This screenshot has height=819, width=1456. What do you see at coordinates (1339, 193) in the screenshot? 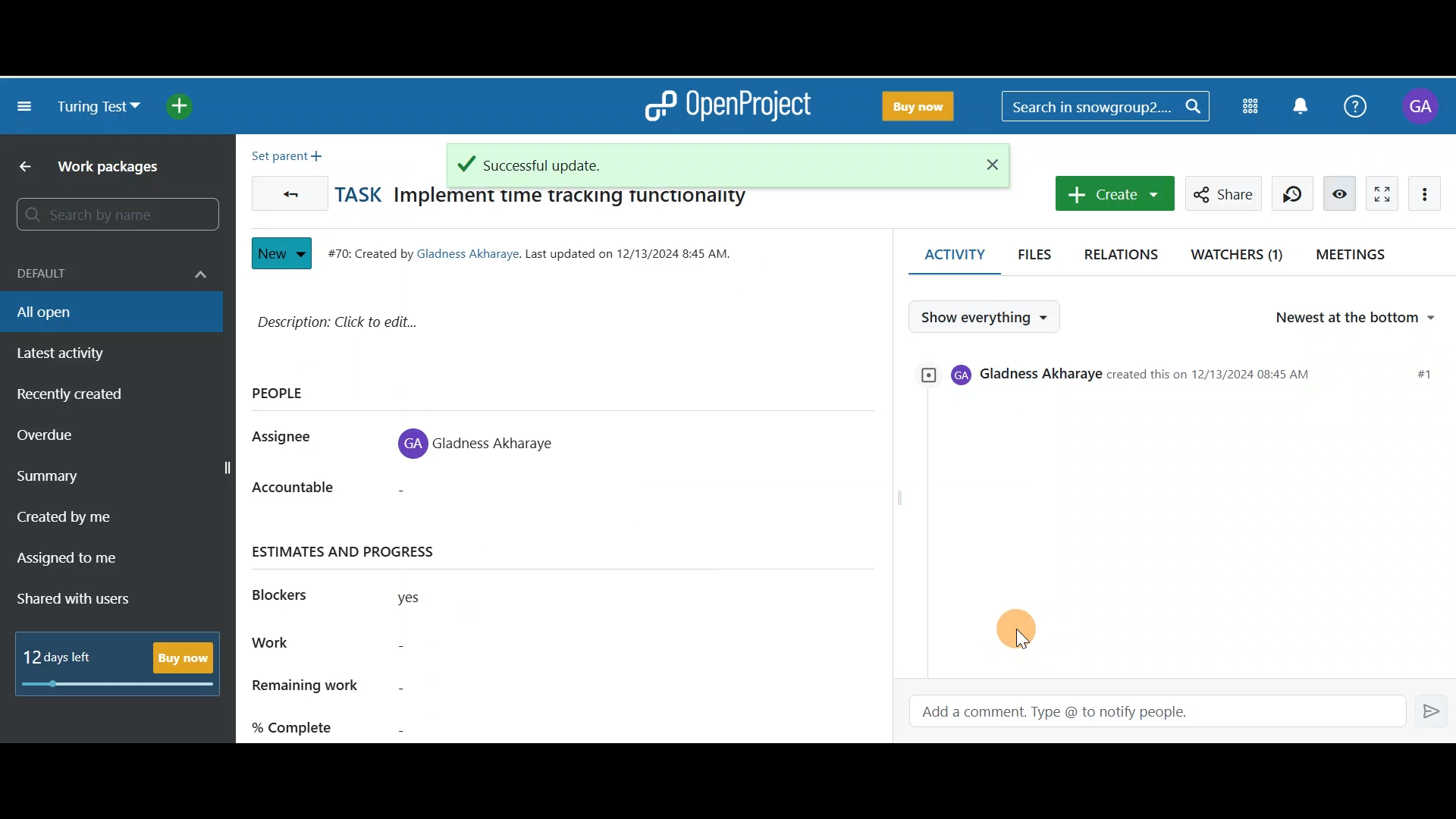
I see `Unwatch work package` at bounding box center [1339, 193].